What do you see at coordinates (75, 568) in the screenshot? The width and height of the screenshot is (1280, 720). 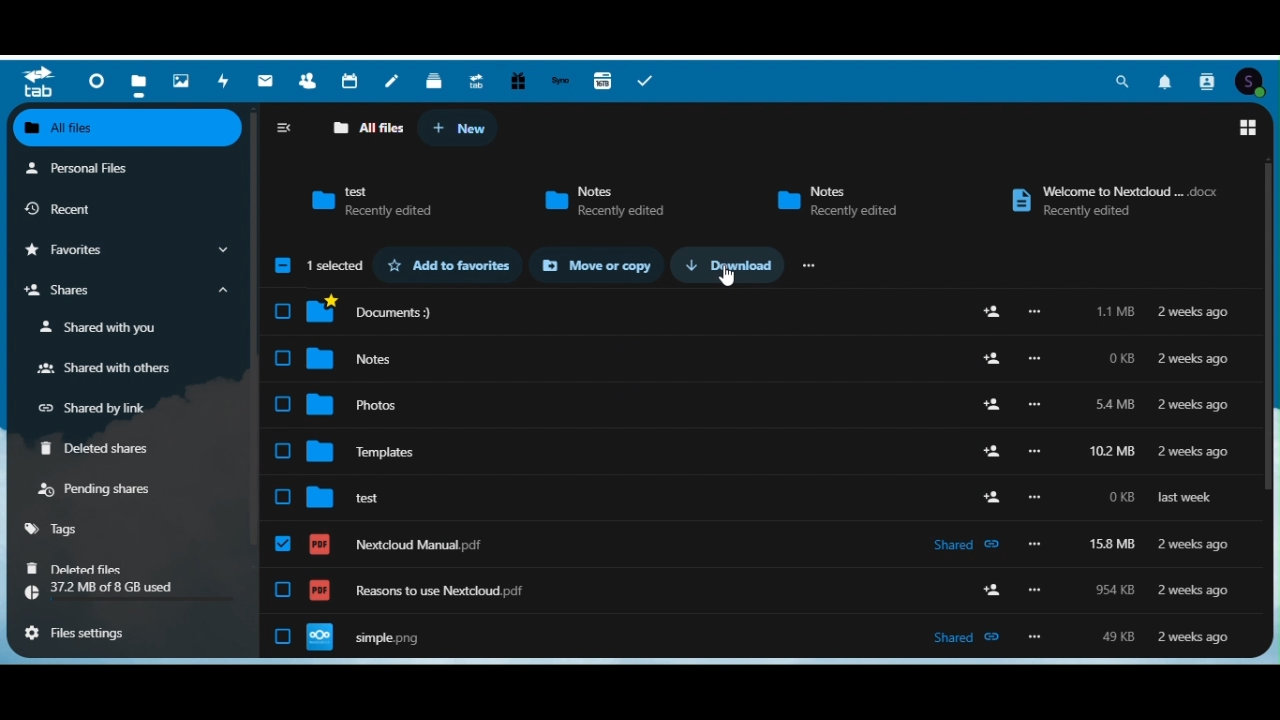 I see `Deleted files` at bounding box center [75, 568].